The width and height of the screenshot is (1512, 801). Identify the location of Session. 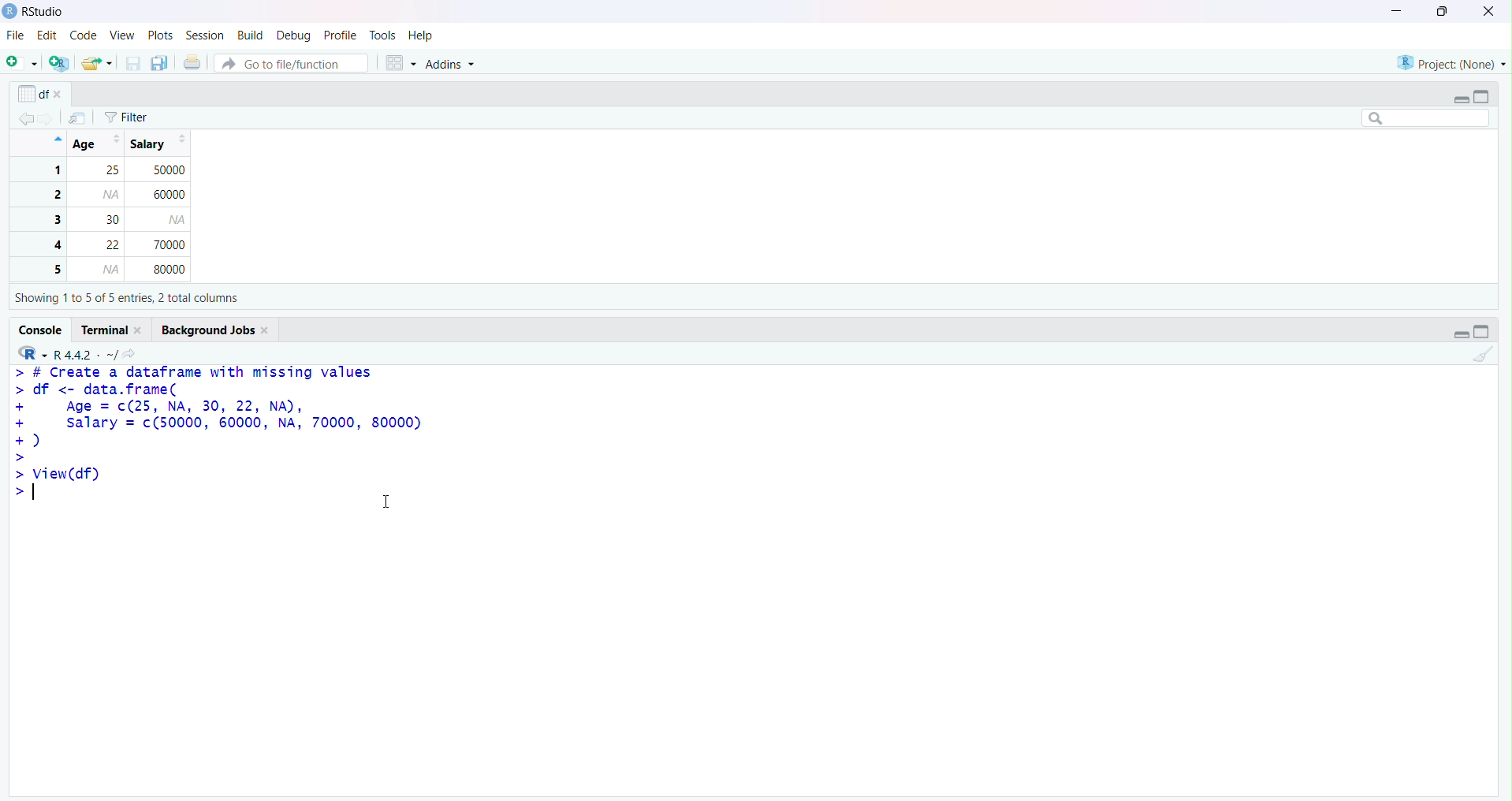
(203, 35).